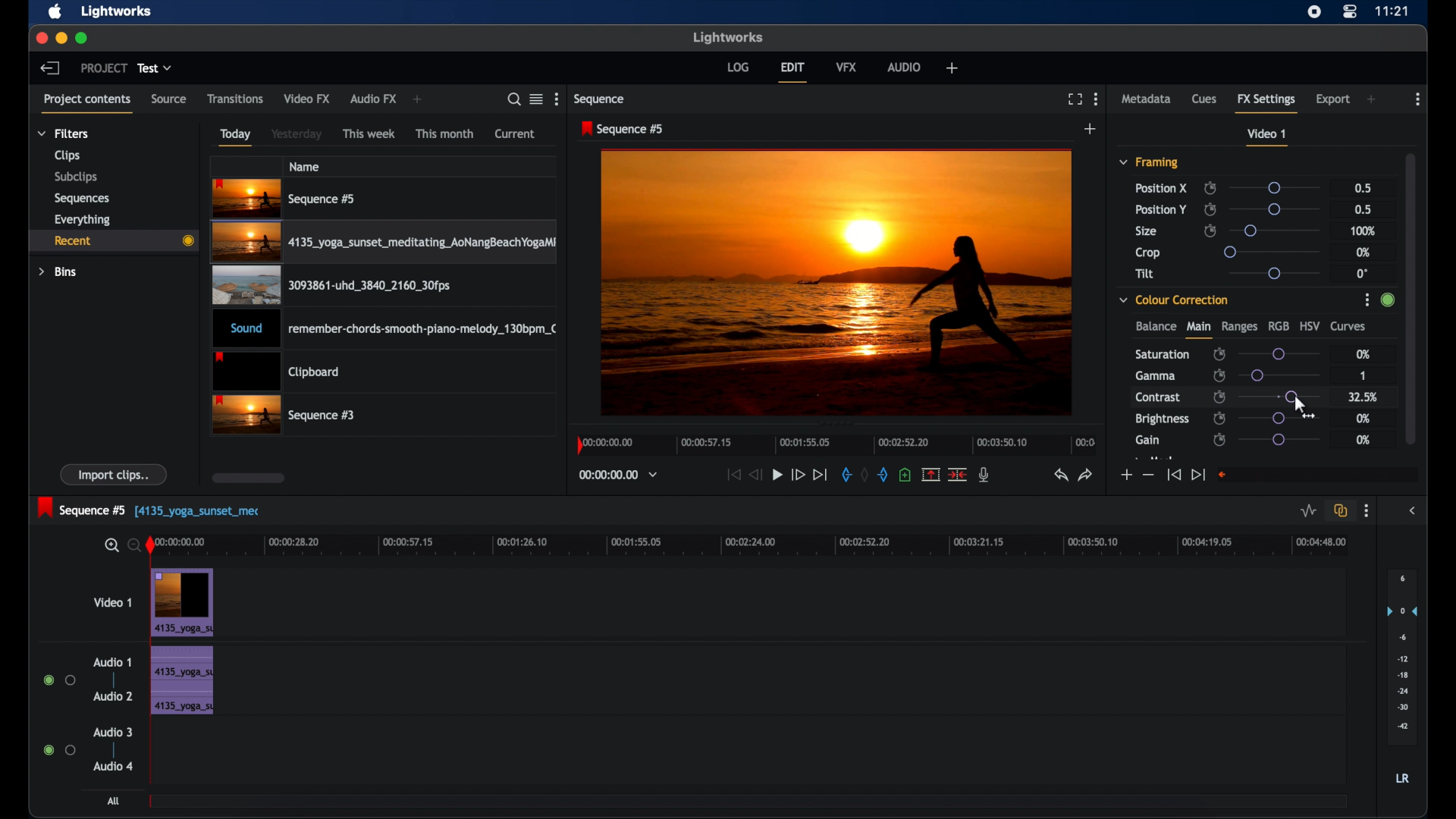  I want to click on import clips, so click(115, 474).